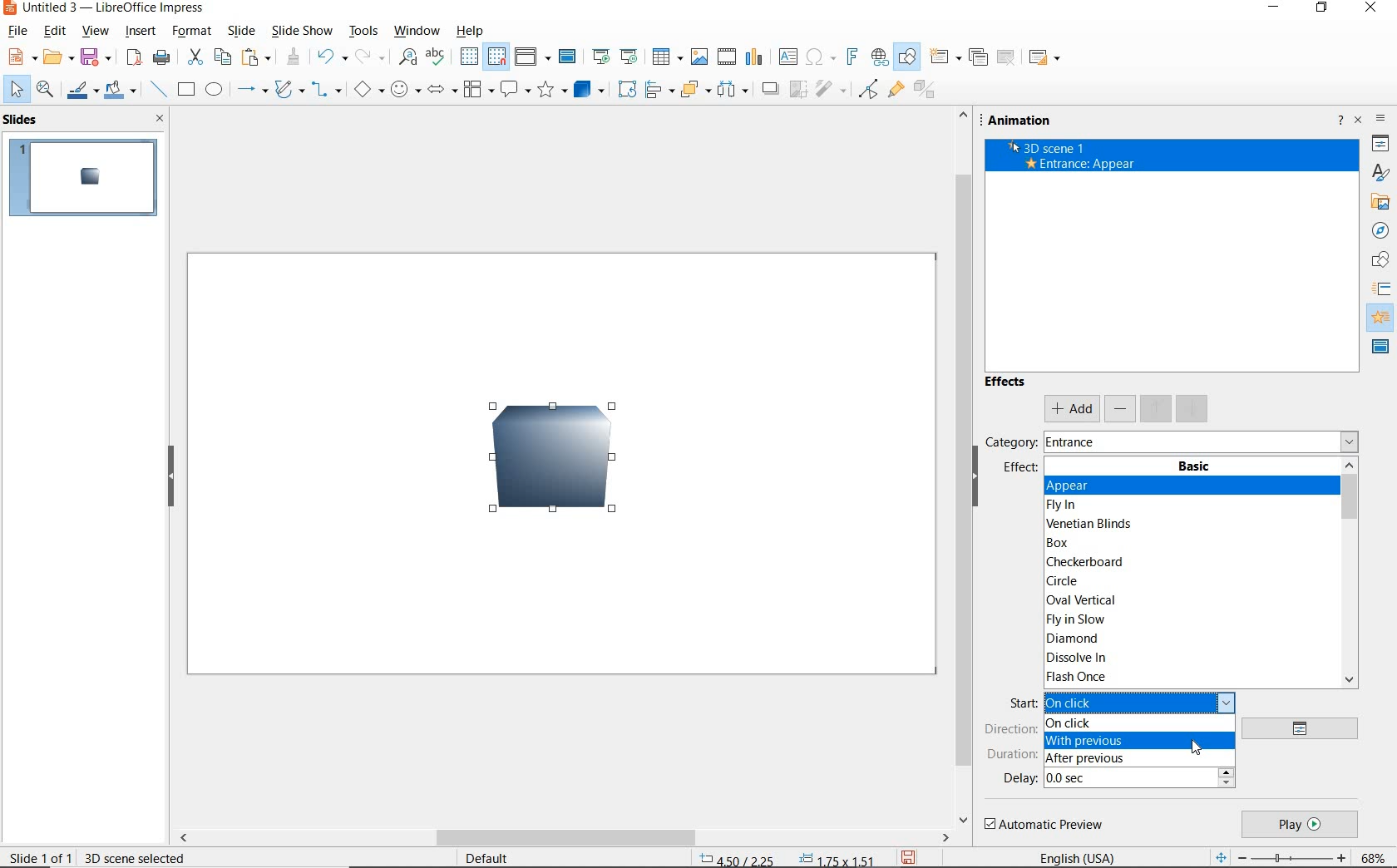 This screenshot has height=868, width=1397. I want to click on BOX, so click(1067, 543).